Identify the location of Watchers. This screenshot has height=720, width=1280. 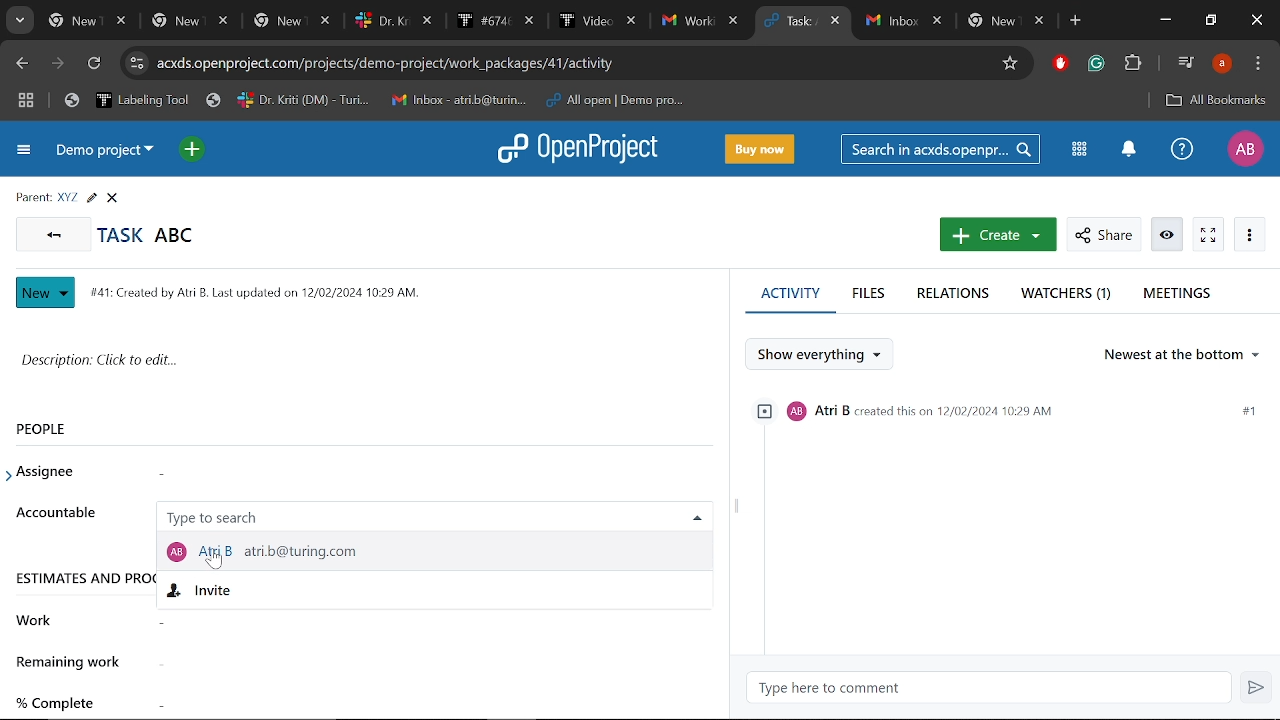
(1065, 295).